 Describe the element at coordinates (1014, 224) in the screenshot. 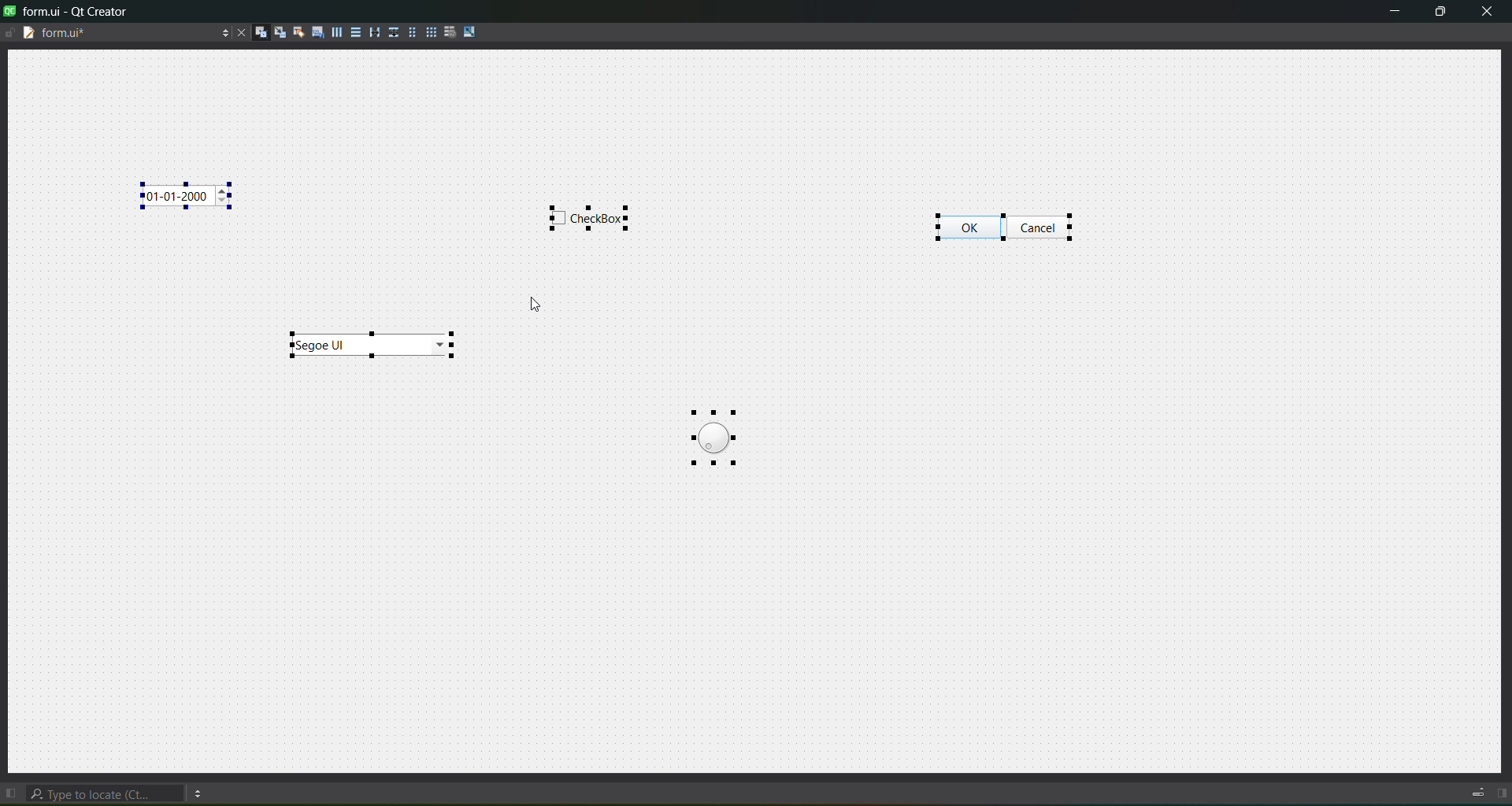

I see `Selected Widgets` at that location.